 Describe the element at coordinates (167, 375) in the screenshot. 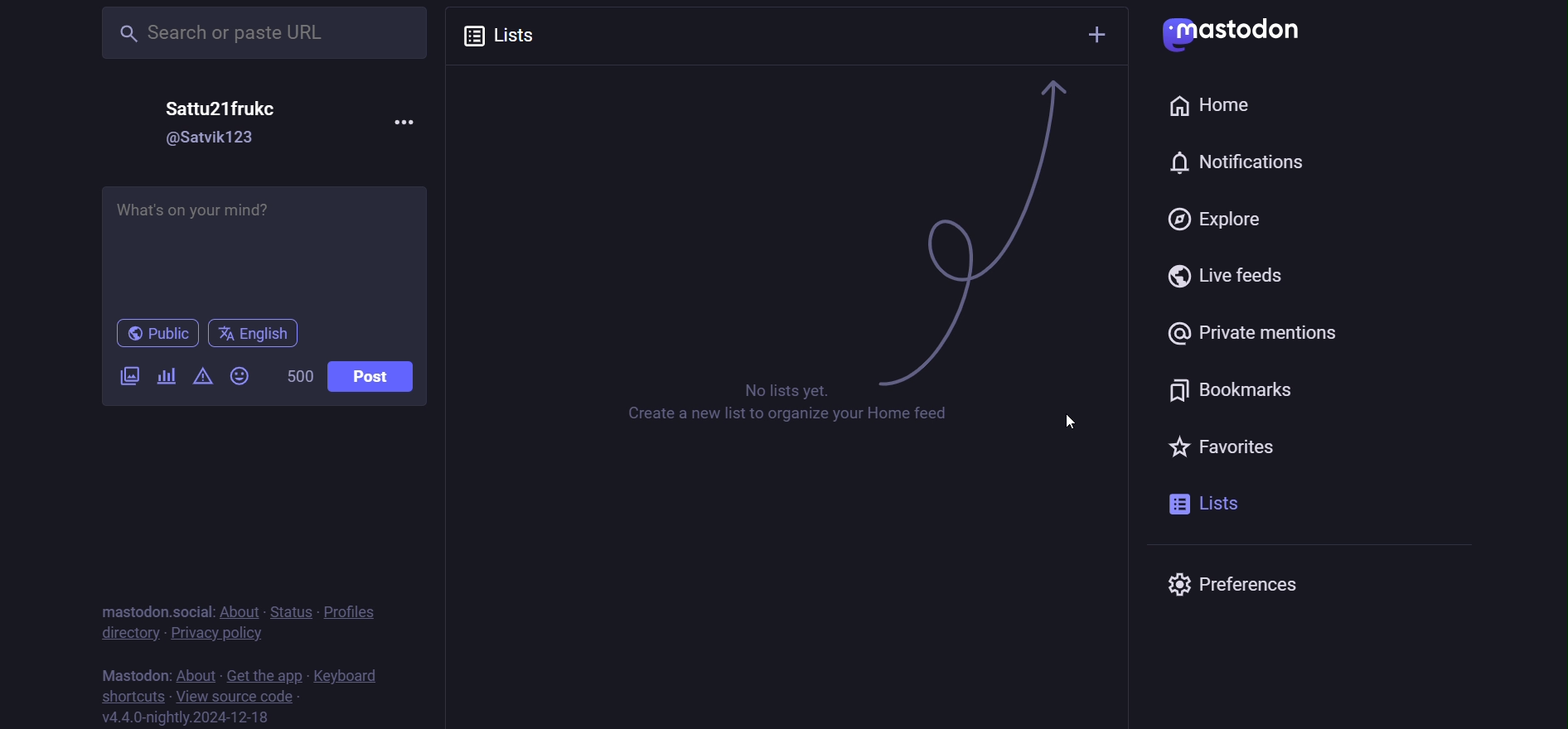

I see `poll` at that location.